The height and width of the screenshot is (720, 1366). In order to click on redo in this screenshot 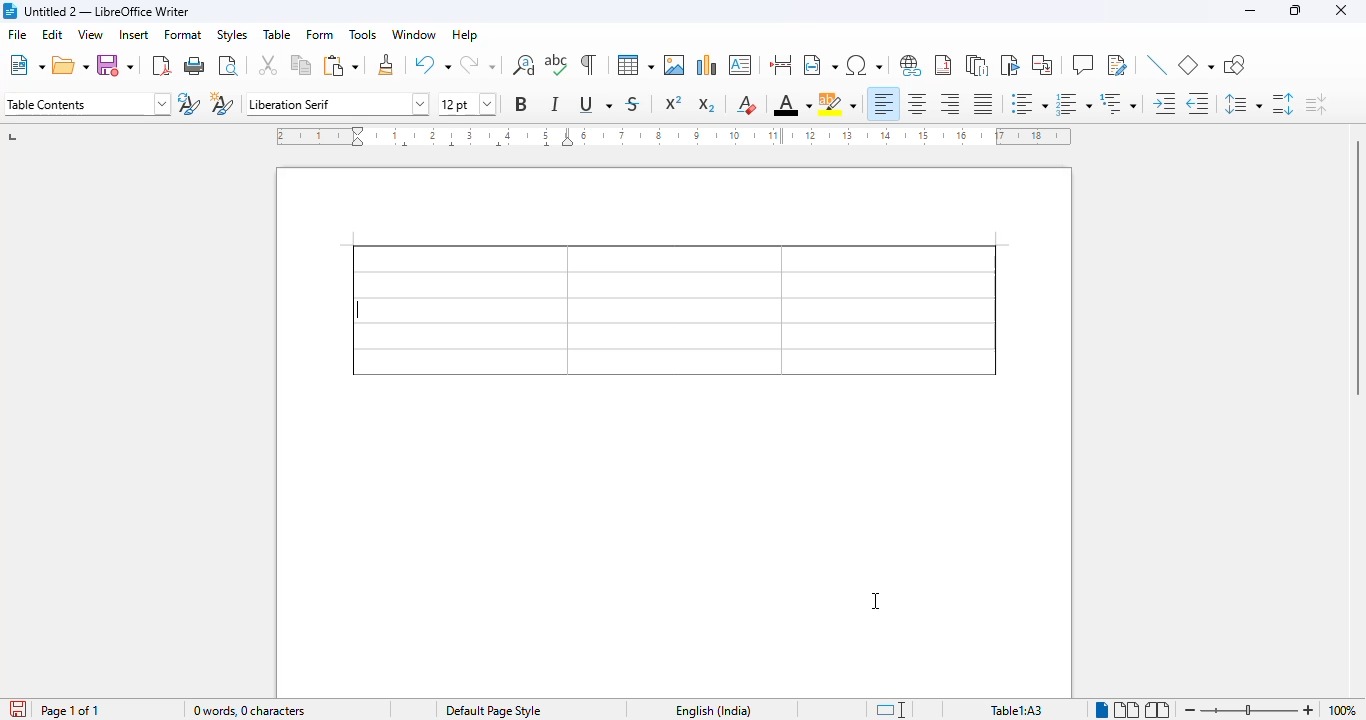, I will do `click(477, 64)`.